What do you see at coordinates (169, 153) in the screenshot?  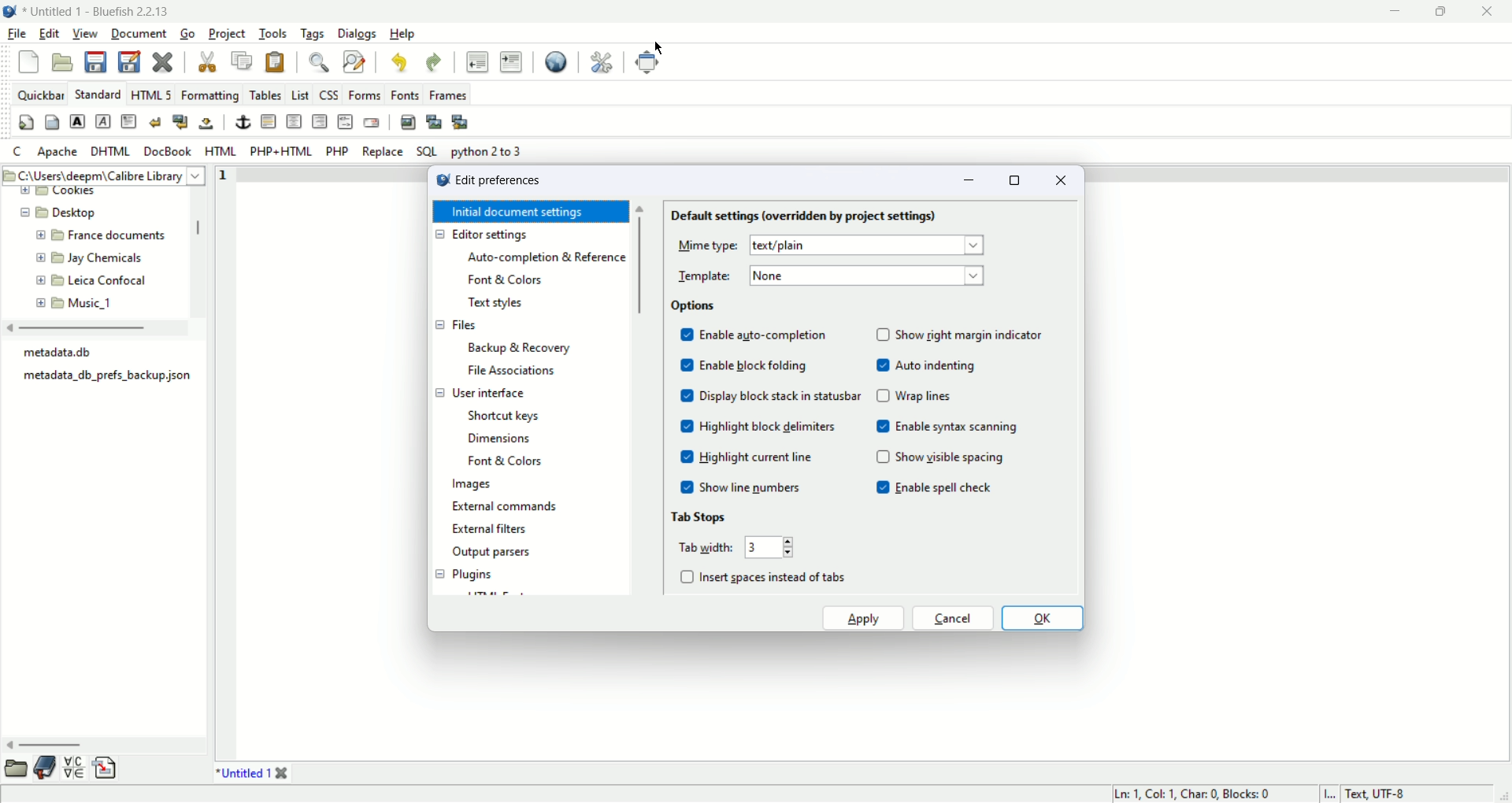 I see `docbook` at bounding box center [169, 153].